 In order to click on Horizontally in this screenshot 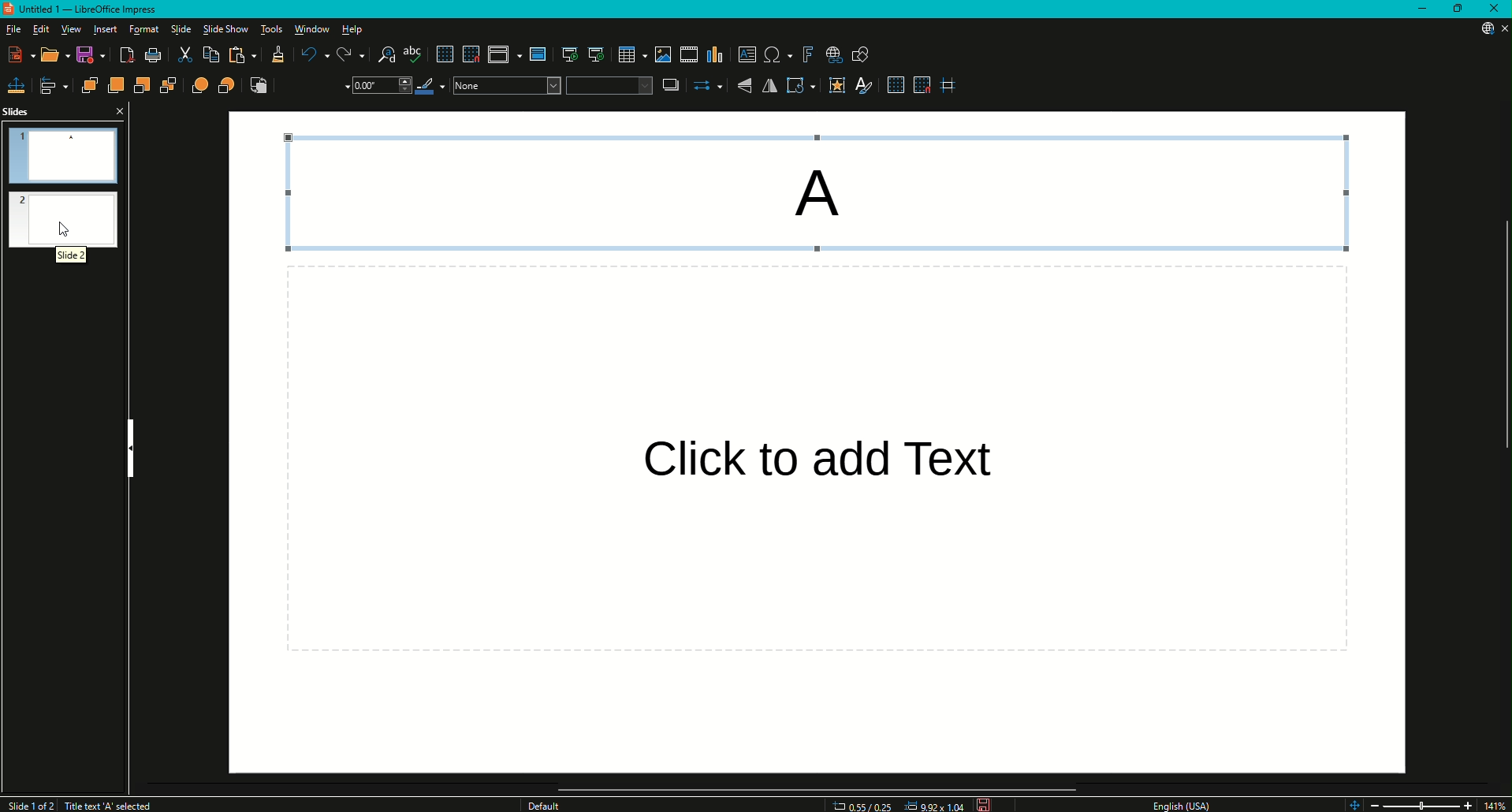, I will do `click(773, 85)`.